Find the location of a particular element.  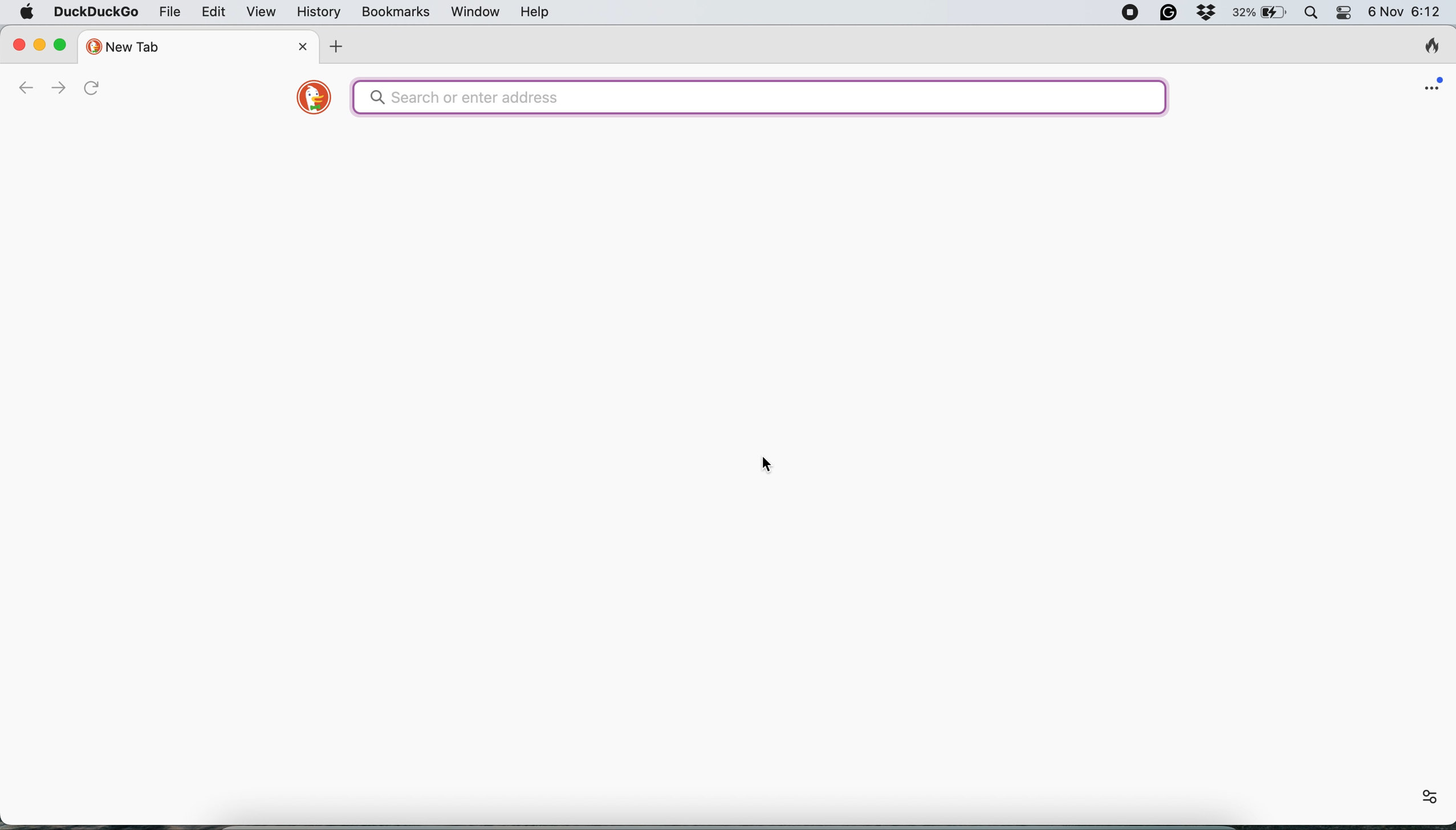

settings is located at coordinates (1428, 796).